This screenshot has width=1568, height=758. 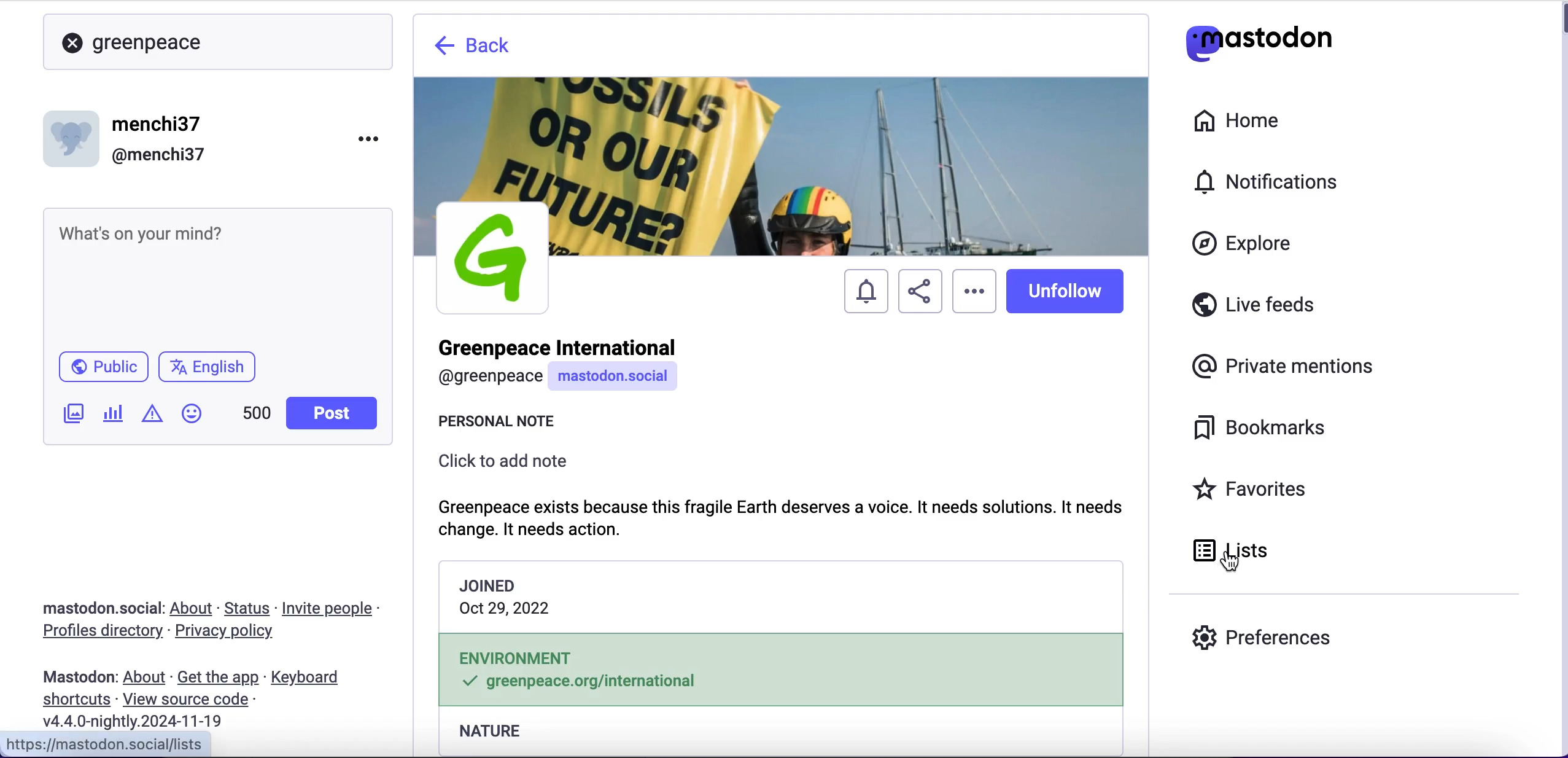 What do you see at coordinates (153, 42) in the screenshot?
I see `greenpeace` at bounding box center [153, 42].